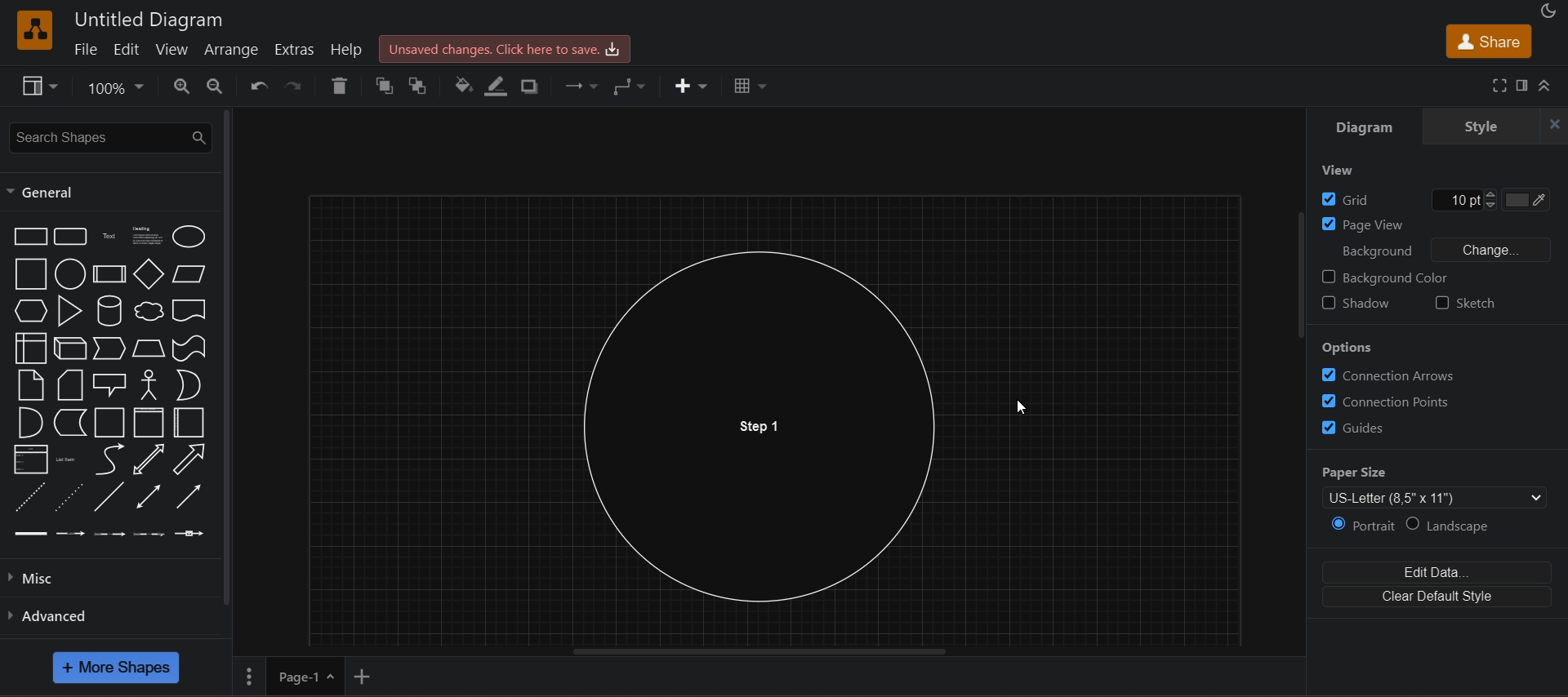  I want to click on general, so click(40, 193).